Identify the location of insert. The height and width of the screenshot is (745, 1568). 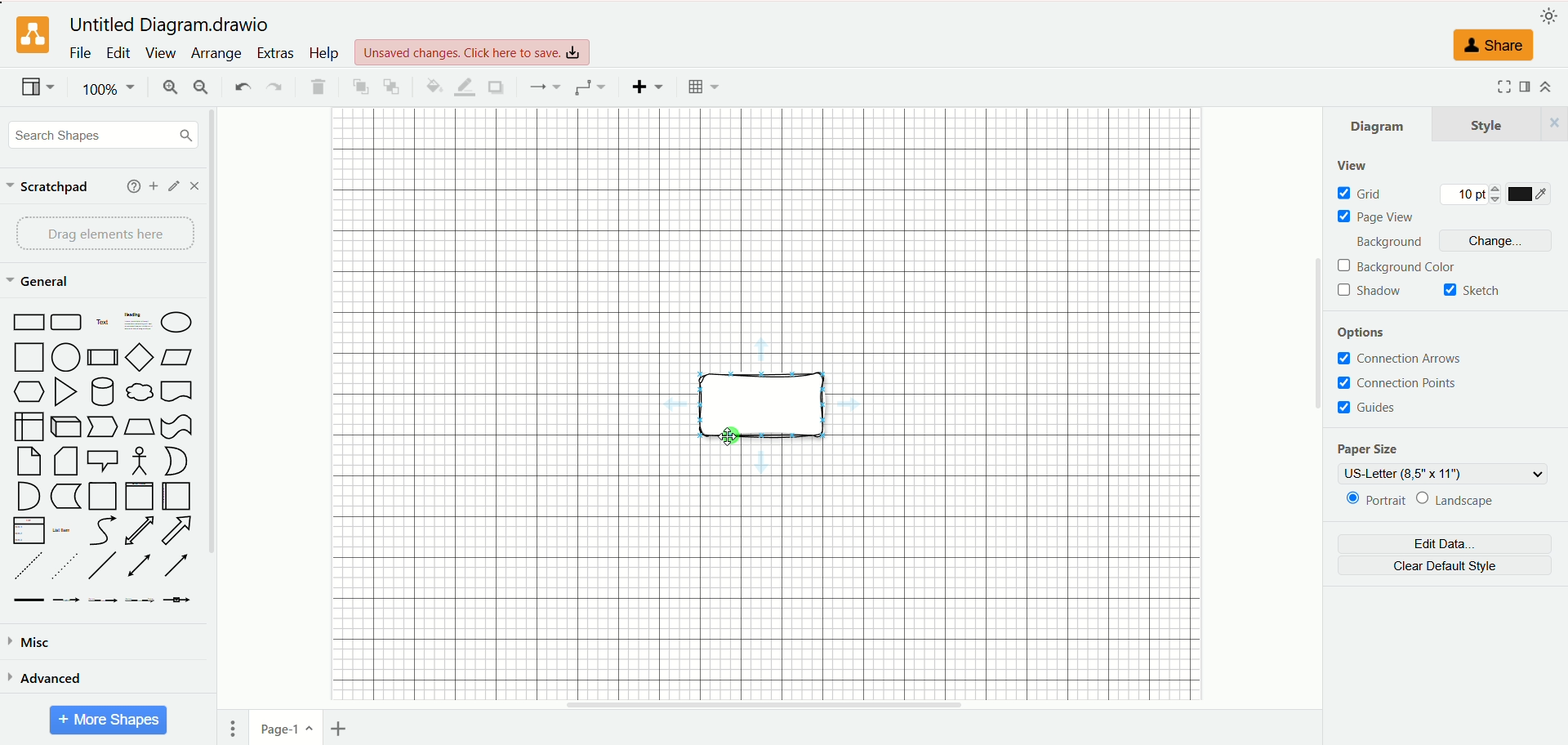
(648, 87).